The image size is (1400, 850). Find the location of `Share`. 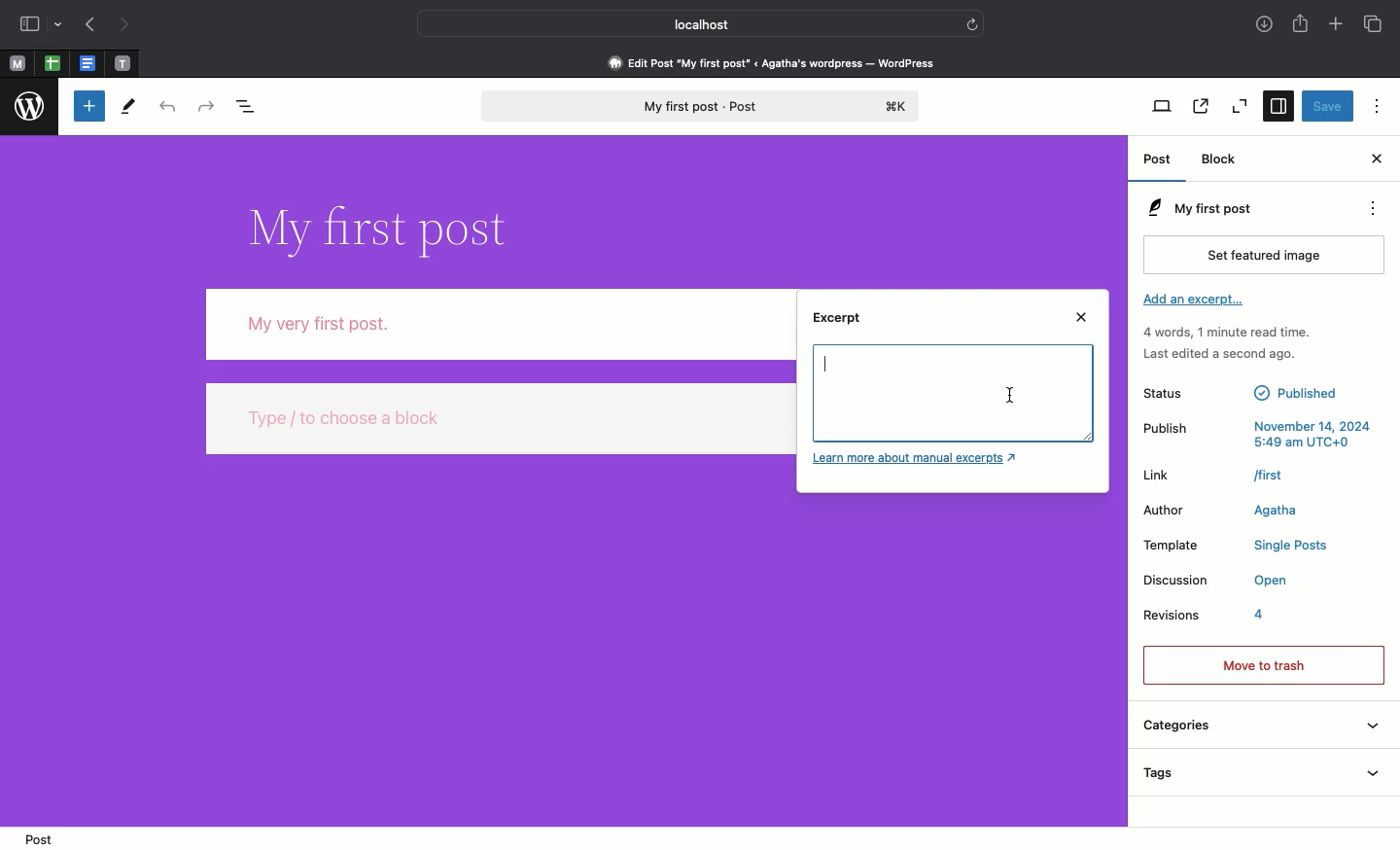

Share is located at coordinates (1303, 25).